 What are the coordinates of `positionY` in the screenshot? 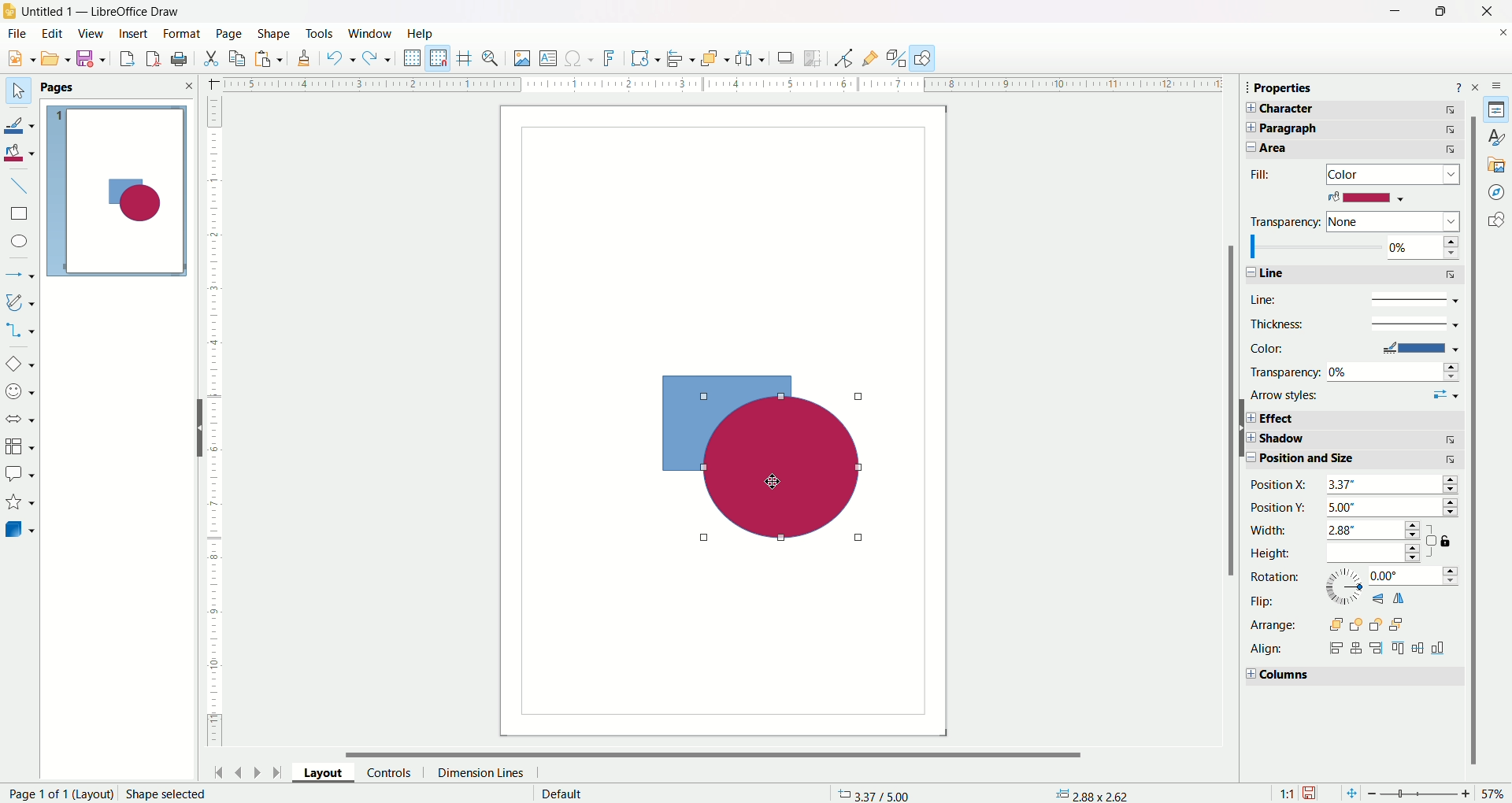 It's located at (1357, 509).